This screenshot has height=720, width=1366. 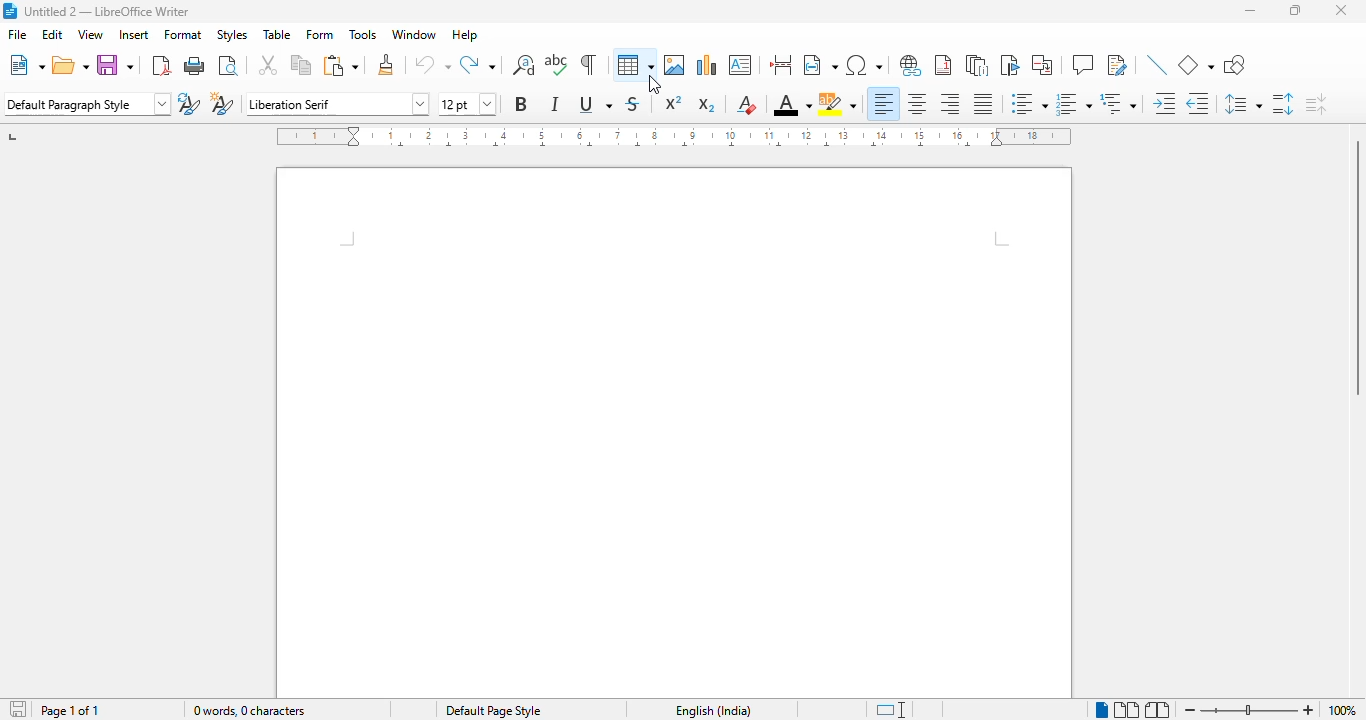 What do you see at coordinates (464, 35) in the screenshot?
I see `help` at bounding box center [464, 35].